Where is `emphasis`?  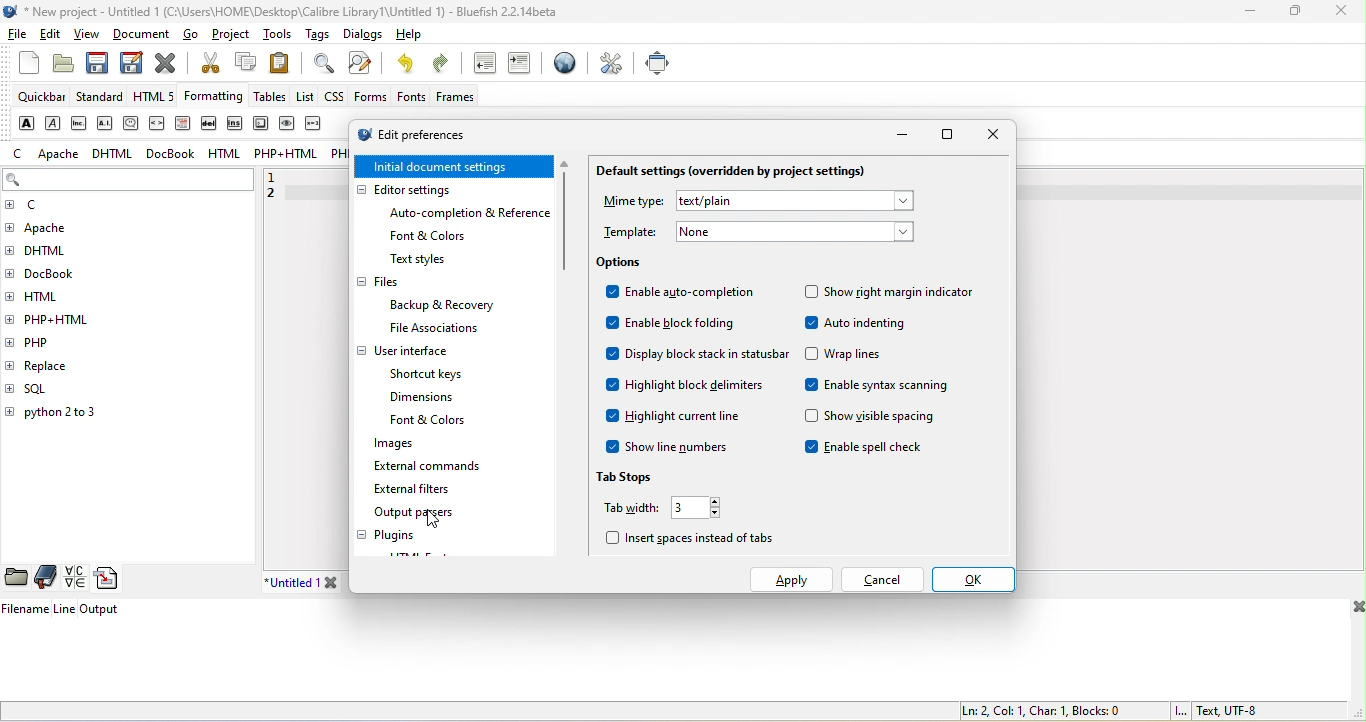 emphasis is located at coordinates (53, 123).